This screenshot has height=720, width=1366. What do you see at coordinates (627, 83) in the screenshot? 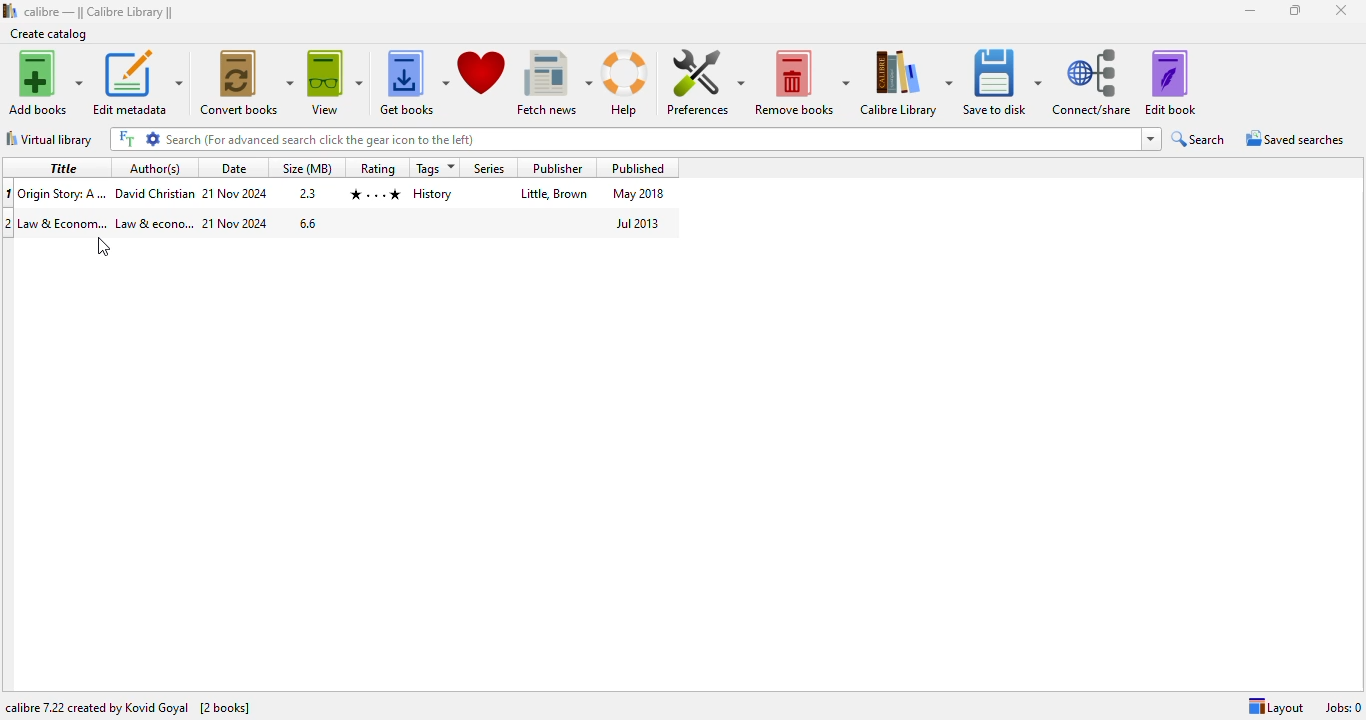
I see `help` at bounding box center [627, 83].